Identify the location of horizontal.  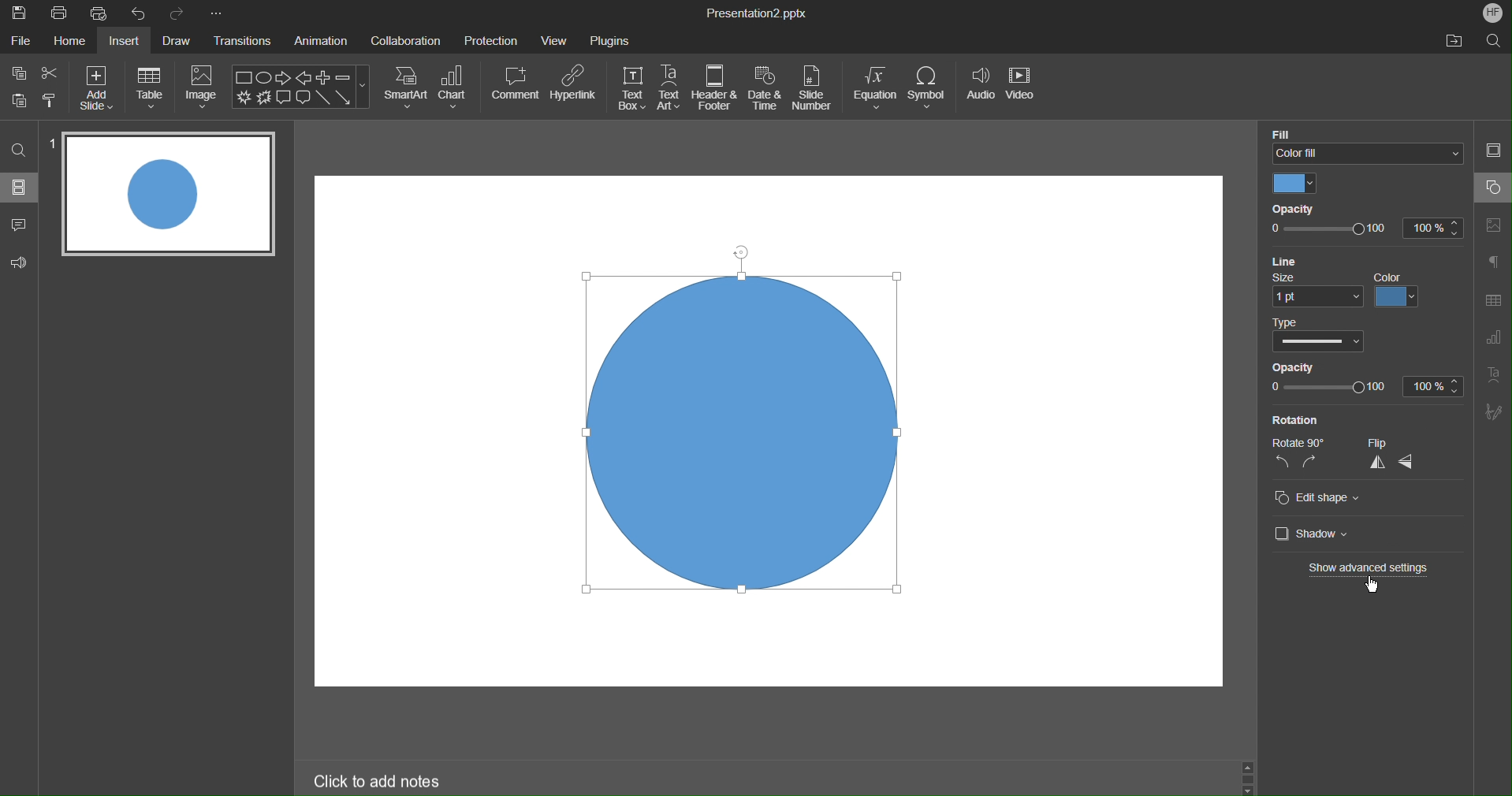
(1410, 463).